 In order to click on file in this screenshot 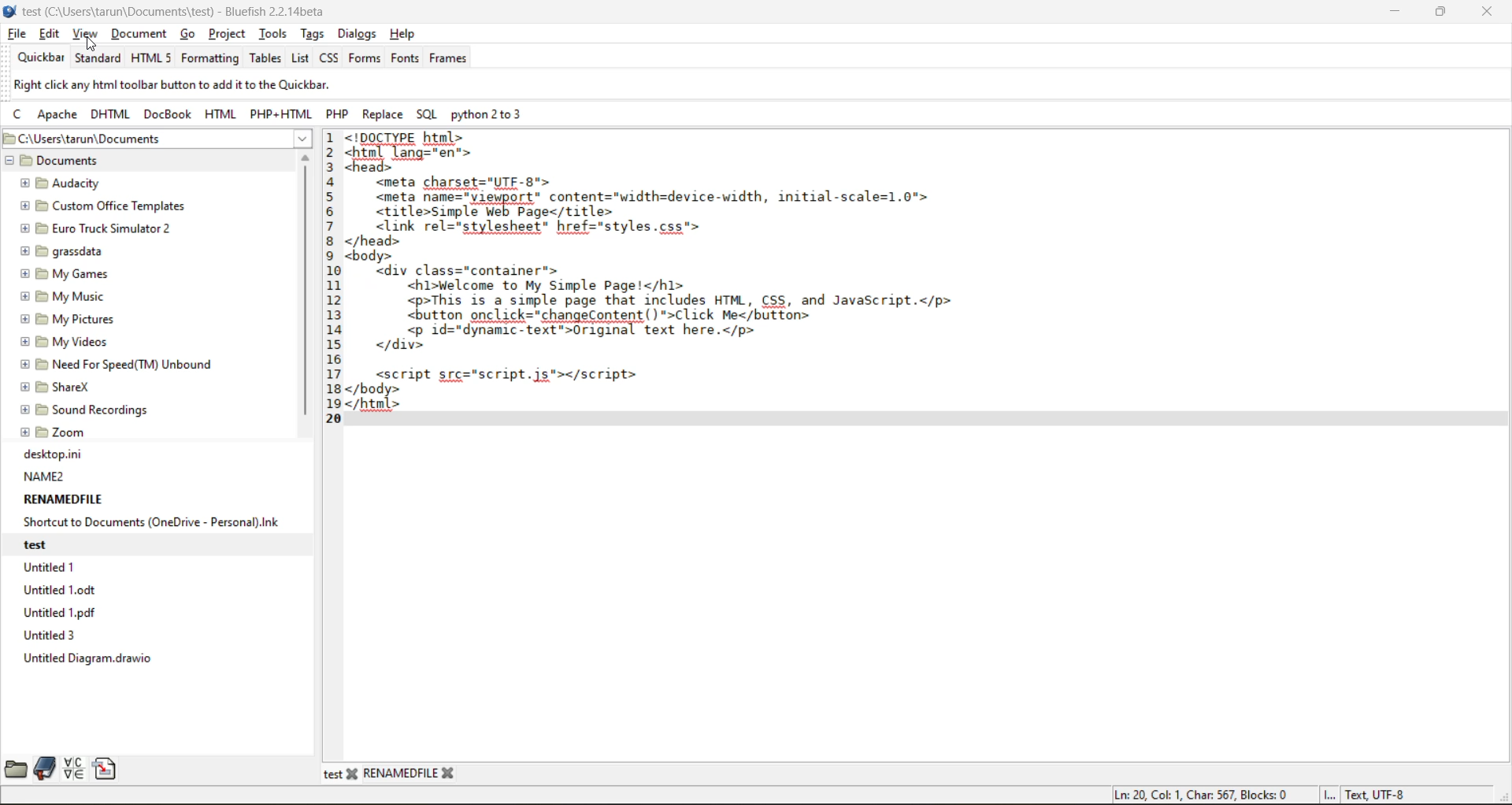, I will do `click(17, 34)`.